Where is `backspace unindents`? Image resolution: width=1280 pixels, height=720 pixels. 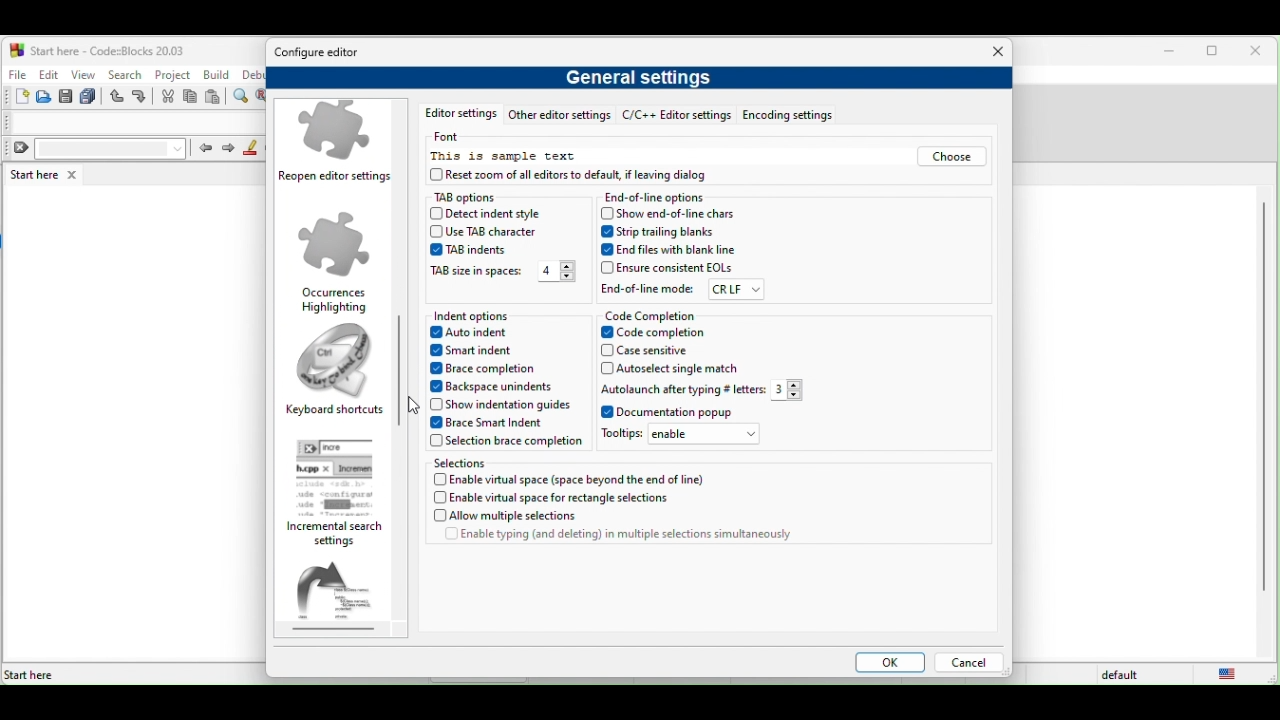 backspace unindents is located at coordinates (499, 386).